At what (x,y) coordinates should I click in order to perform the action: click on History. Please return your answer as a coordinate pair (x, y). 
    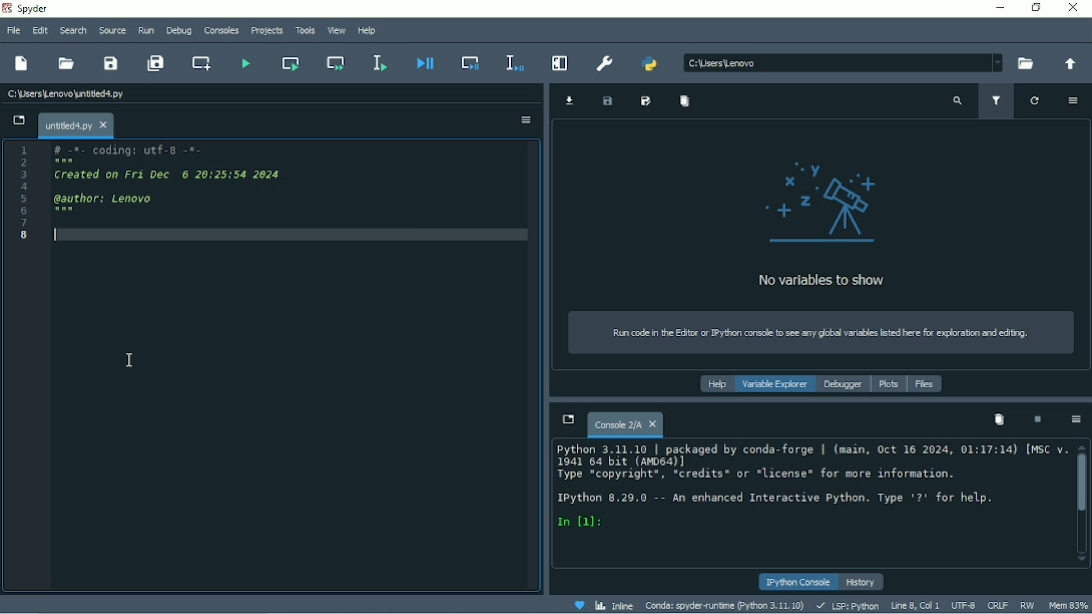
    Looking at the image, I should click on (862, 582).